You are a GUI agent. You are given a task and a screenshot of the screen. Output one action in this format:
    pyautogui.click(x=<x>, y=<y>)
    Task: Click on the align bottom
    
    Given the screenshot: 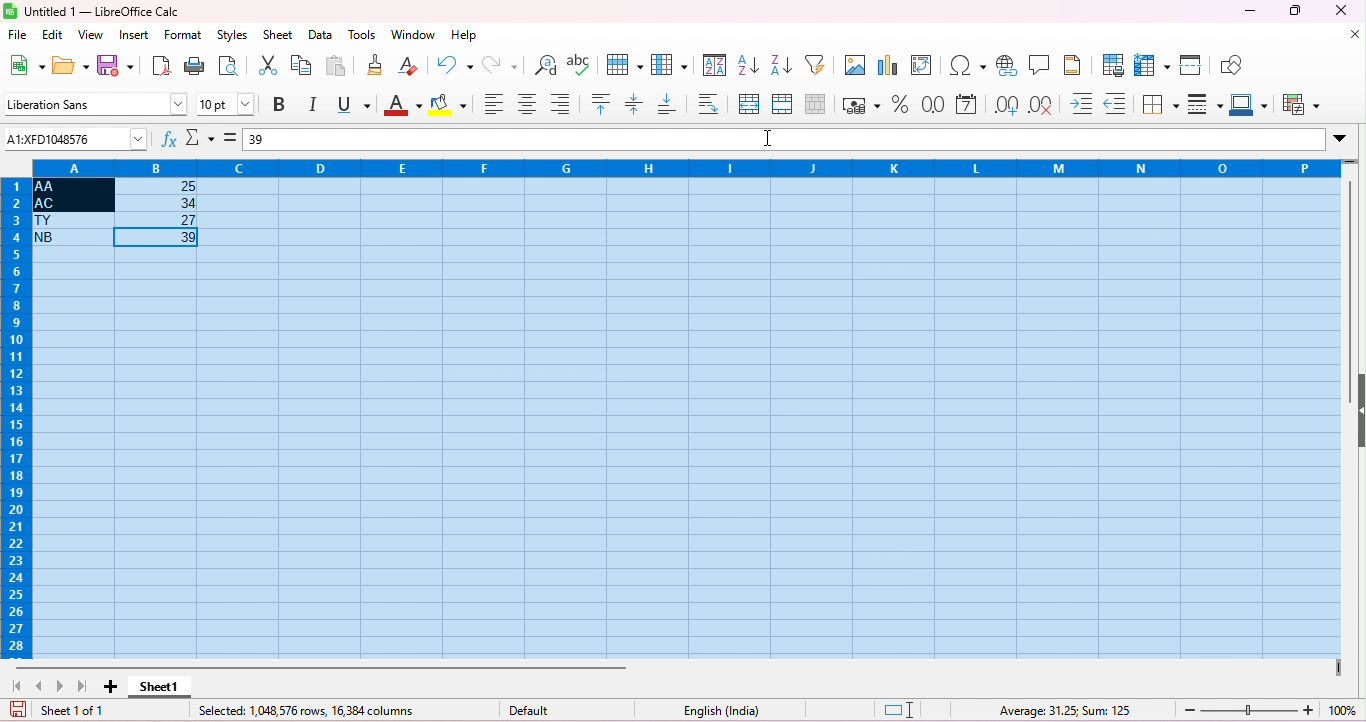 What is the action you would take?
    pyautogui.click(x=668, y=104)
    